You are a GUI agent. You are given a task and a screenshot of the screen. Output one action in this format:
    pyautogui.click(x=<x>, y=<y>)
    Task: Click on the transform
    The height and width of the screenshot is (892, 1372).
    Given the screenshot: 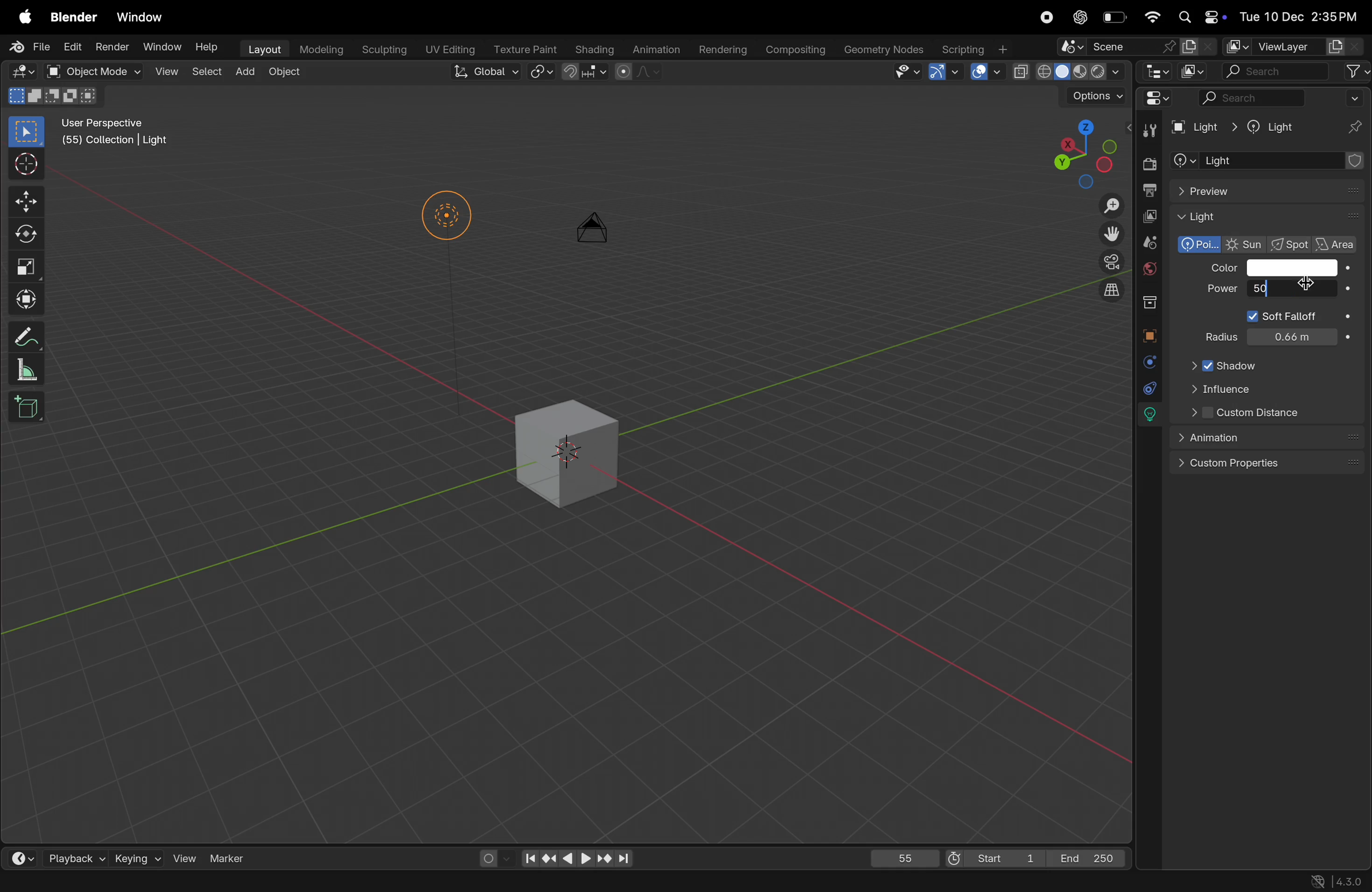 What is the action you would take?
    pyautogui.click(x=28, y=302)
    